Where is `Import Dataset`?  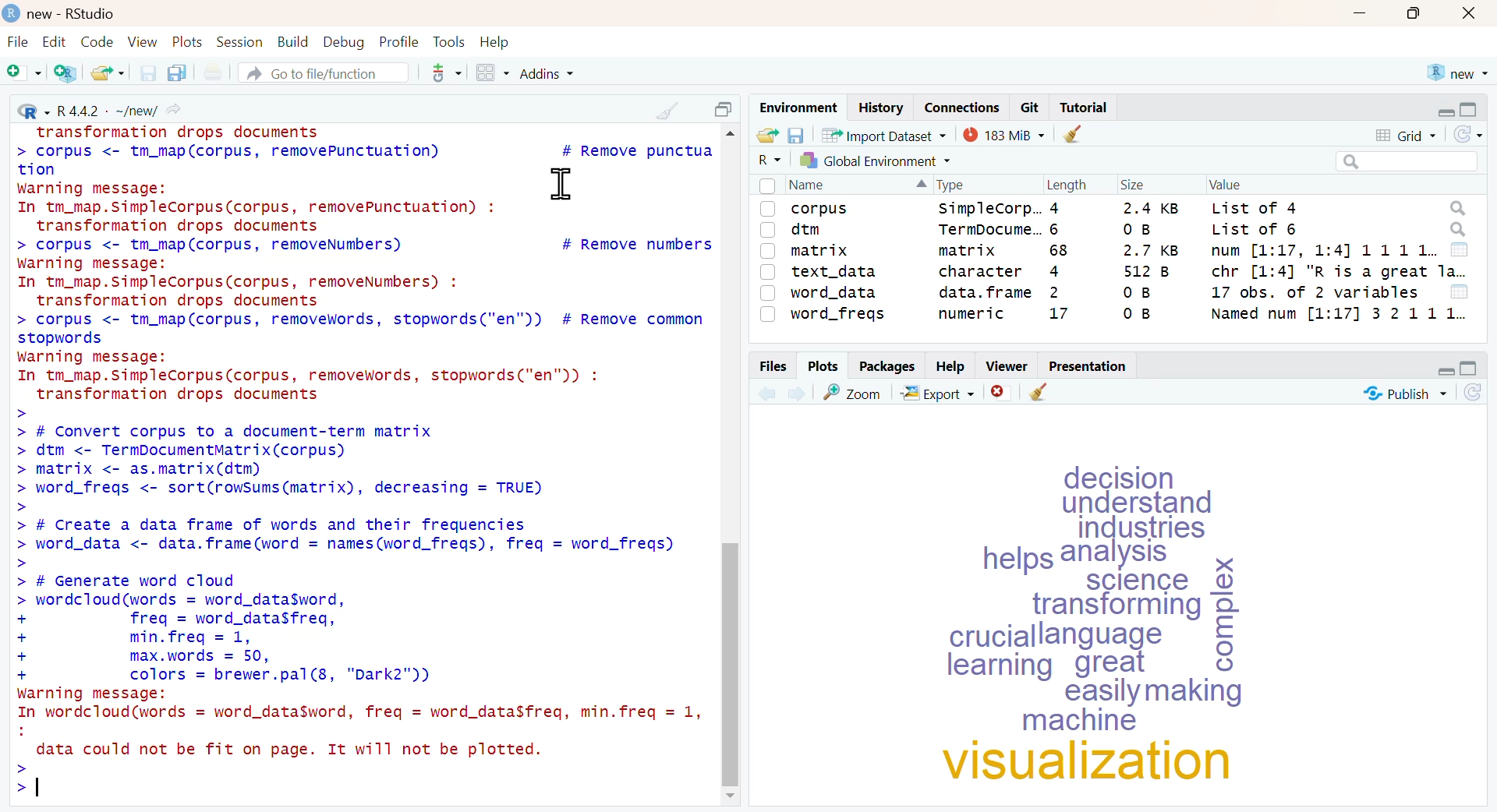 Import Dataset is located at coordinates (884, 135).